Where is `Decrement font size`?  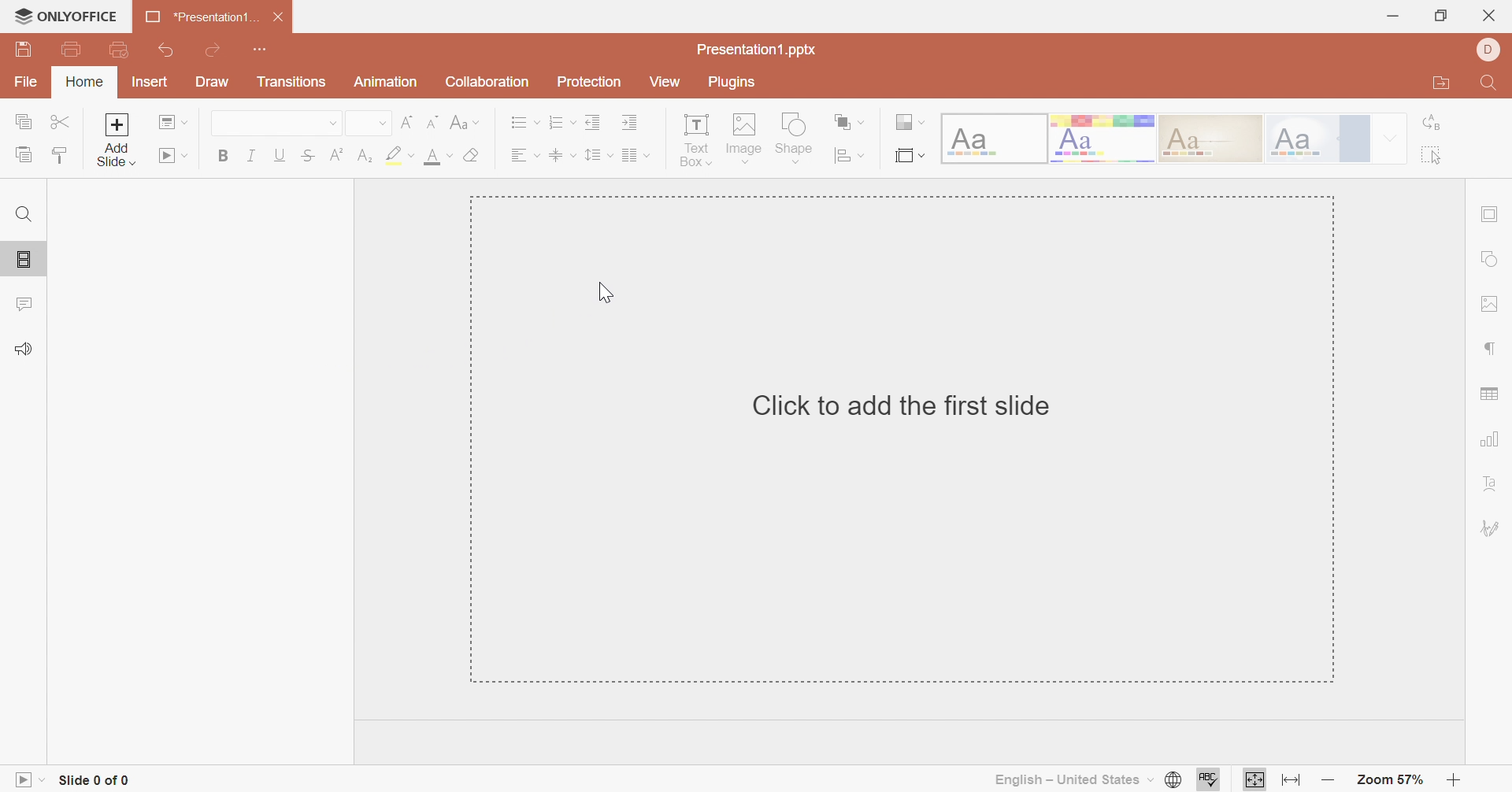
Decrement font size is located at coordinates (432, 120).